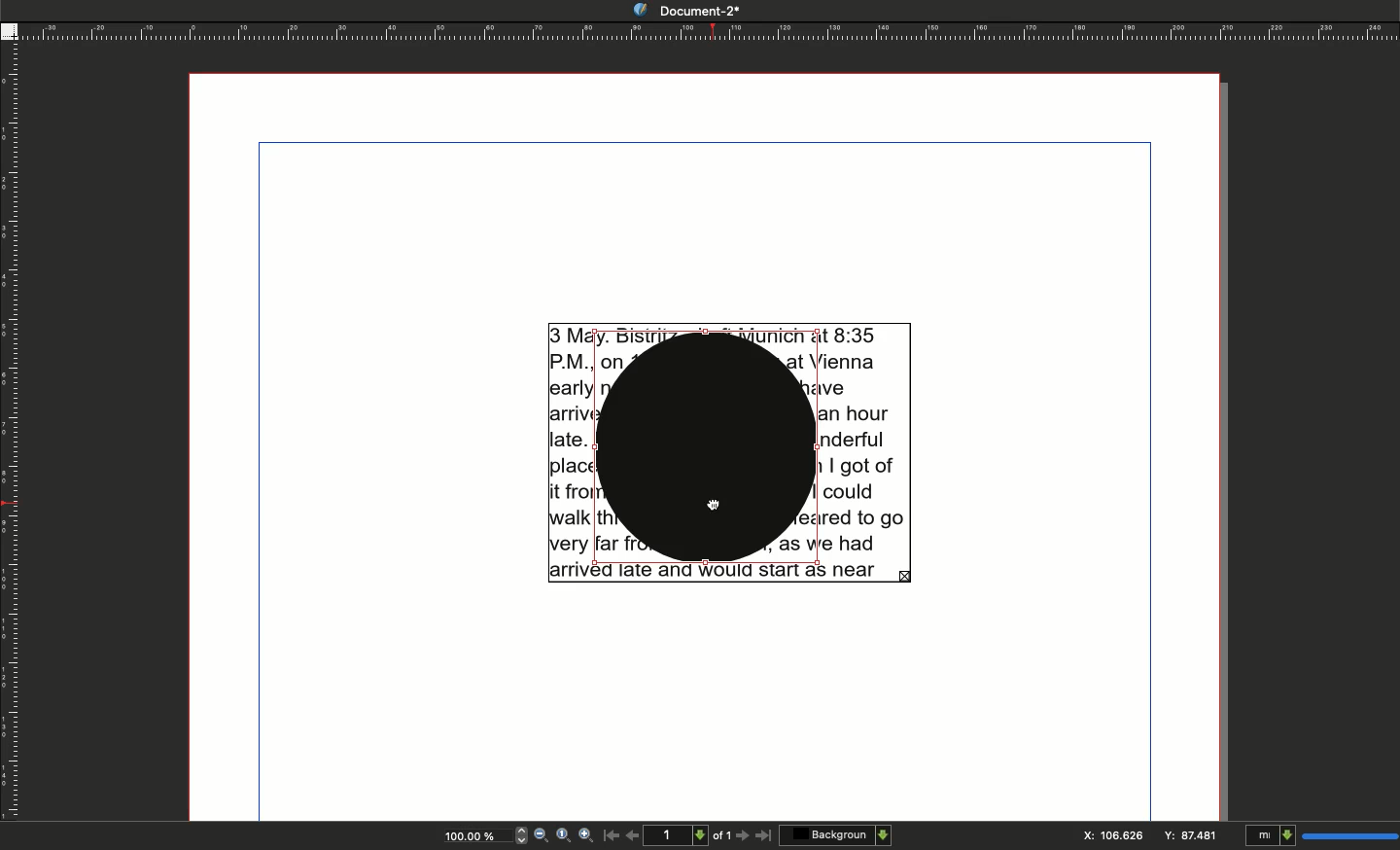  What do you see at coordinates (764, 838) in the screenshot?
I see `Last page` at bounding box center [764, 838].